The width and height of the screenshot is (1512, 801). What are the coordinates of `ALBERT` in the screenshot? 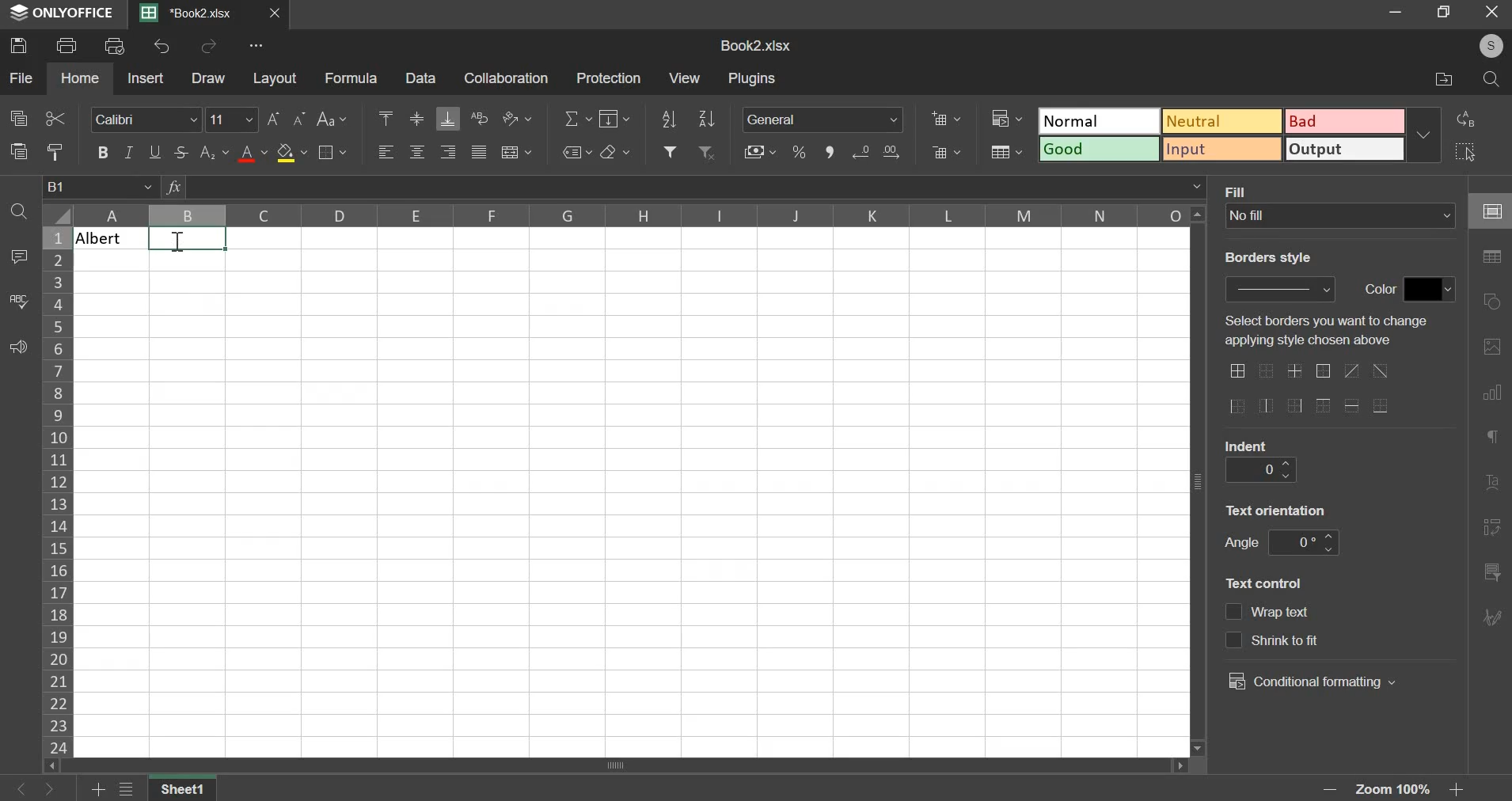 It's located at (108, 237).